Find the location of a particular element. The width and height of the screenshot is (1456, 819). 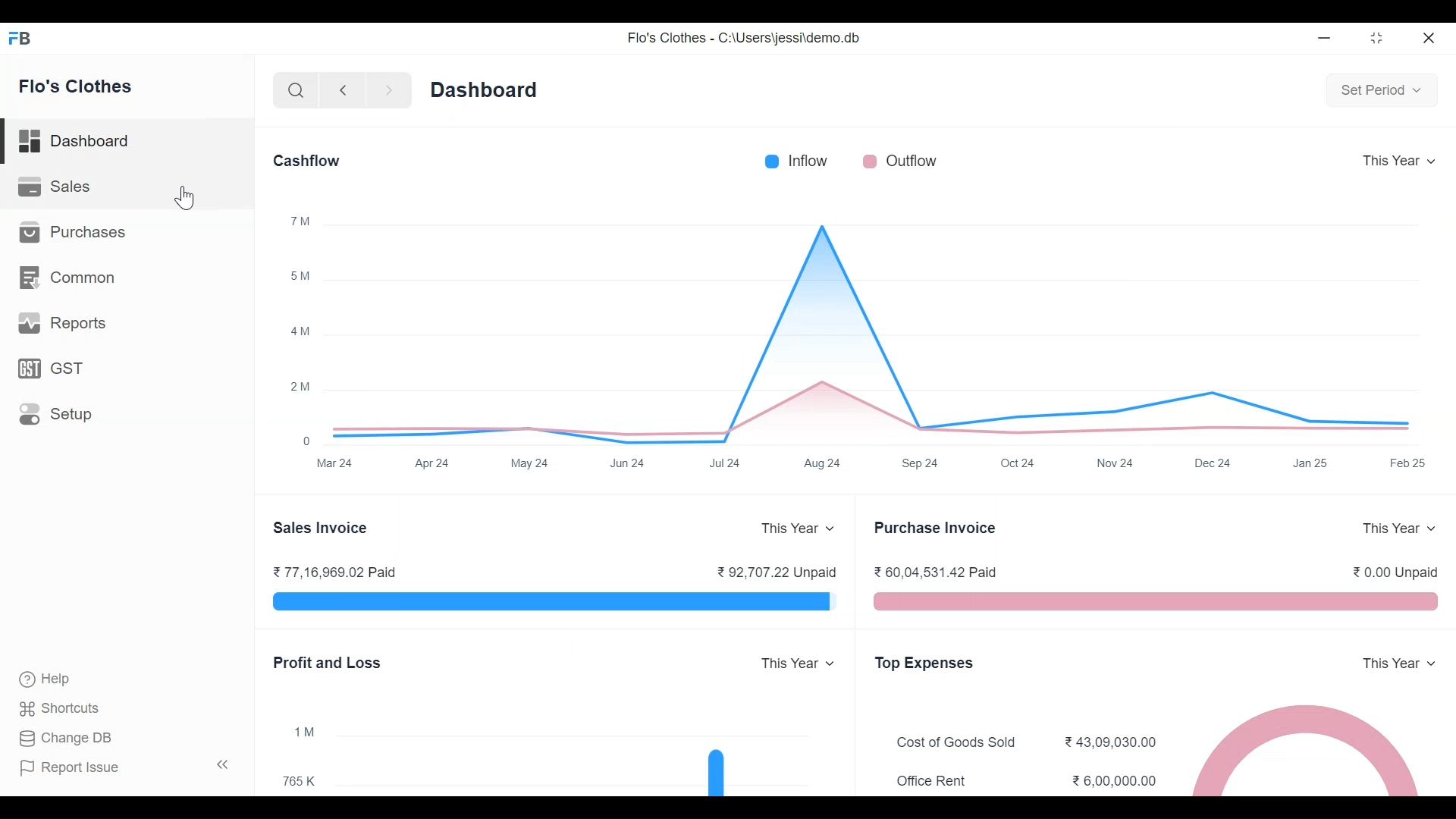

visual representation of sales invoice of paid and unpaid of the year is located at coordinates (554, 602).